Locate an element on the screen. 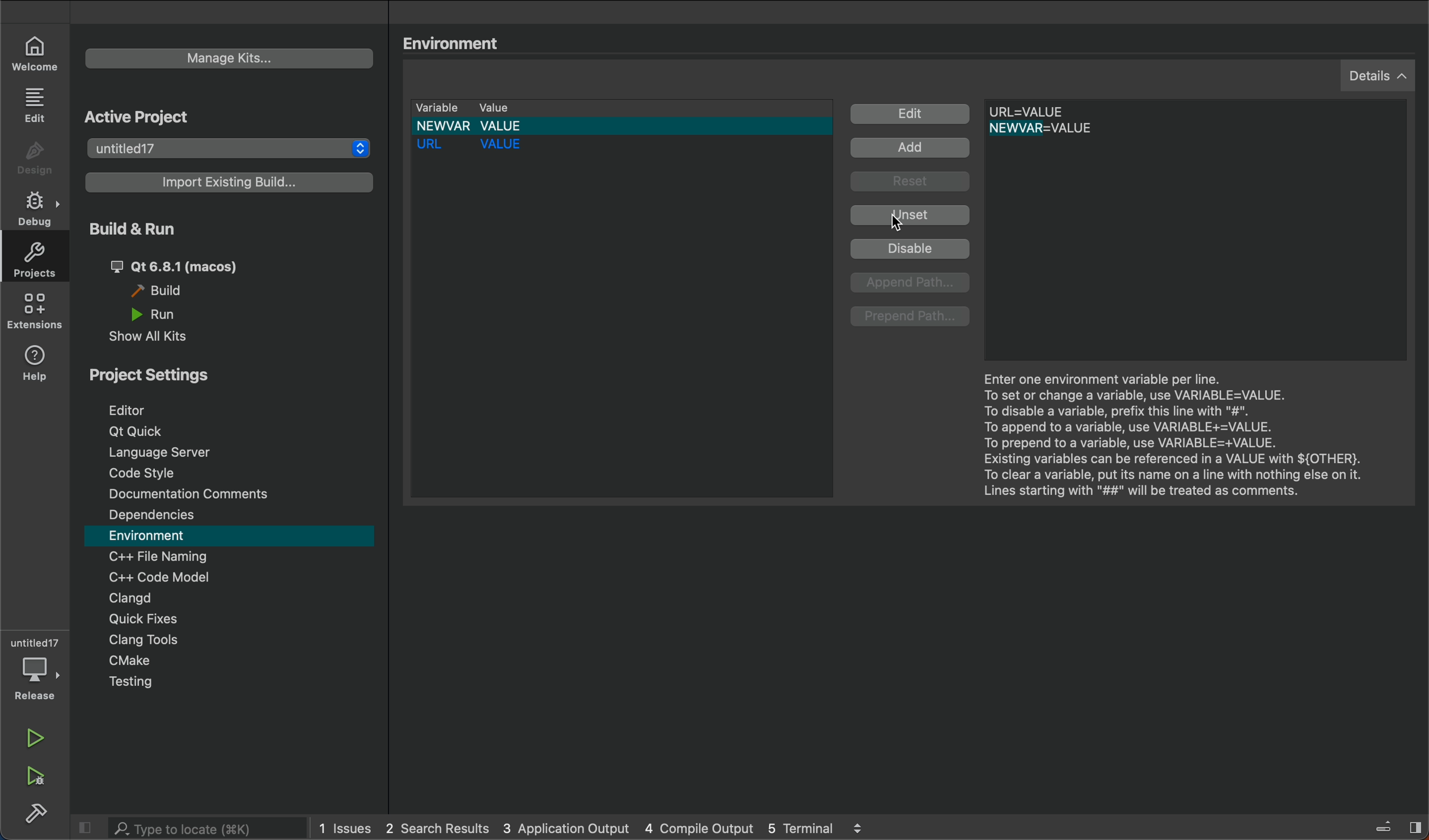 The width and height of the screenshot is (1429, 840). reset is located at coordinates (911, 184).